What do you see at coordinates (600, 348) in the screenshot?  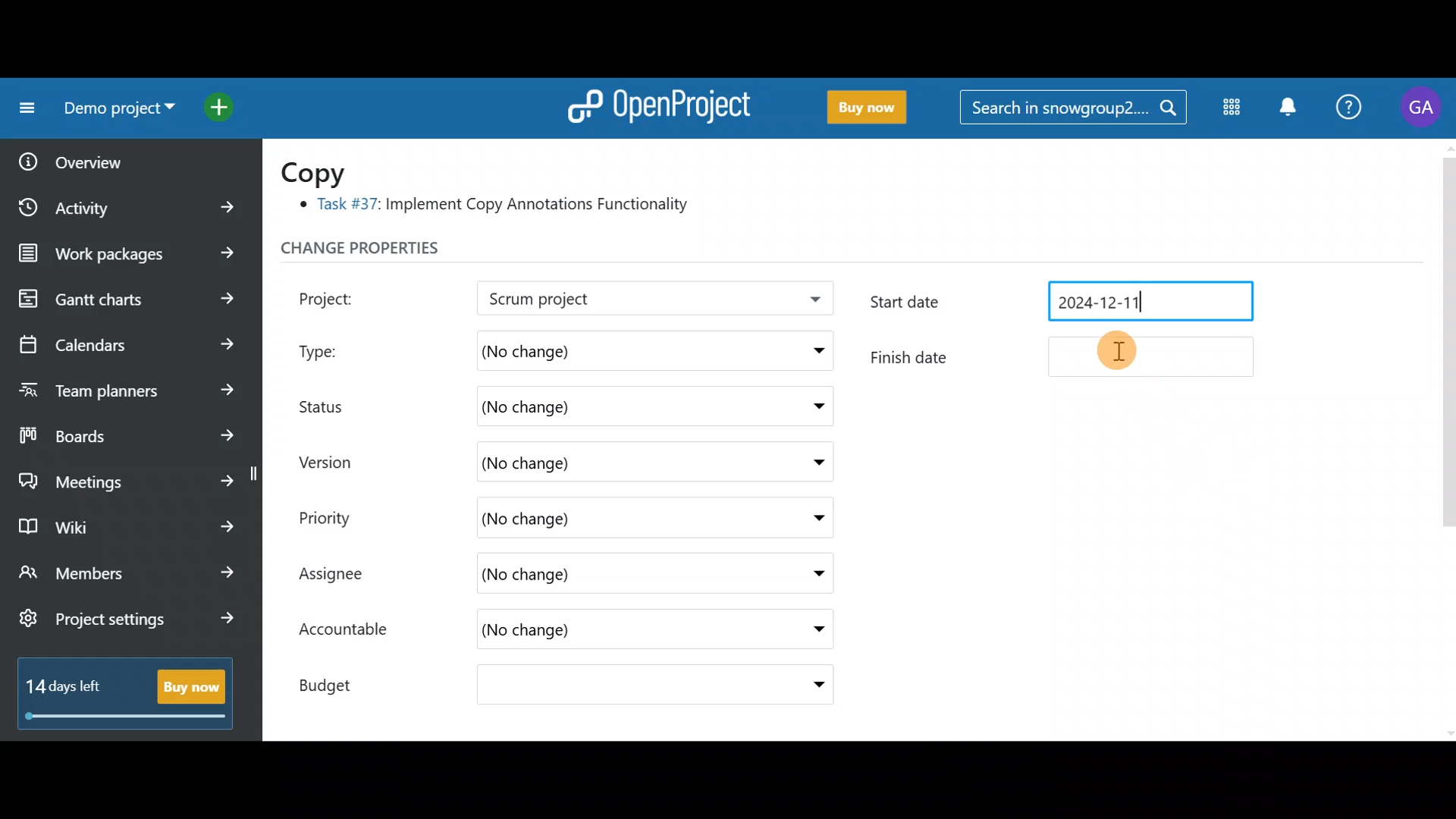 I see `(No change)` at bounding box center [600, 348].